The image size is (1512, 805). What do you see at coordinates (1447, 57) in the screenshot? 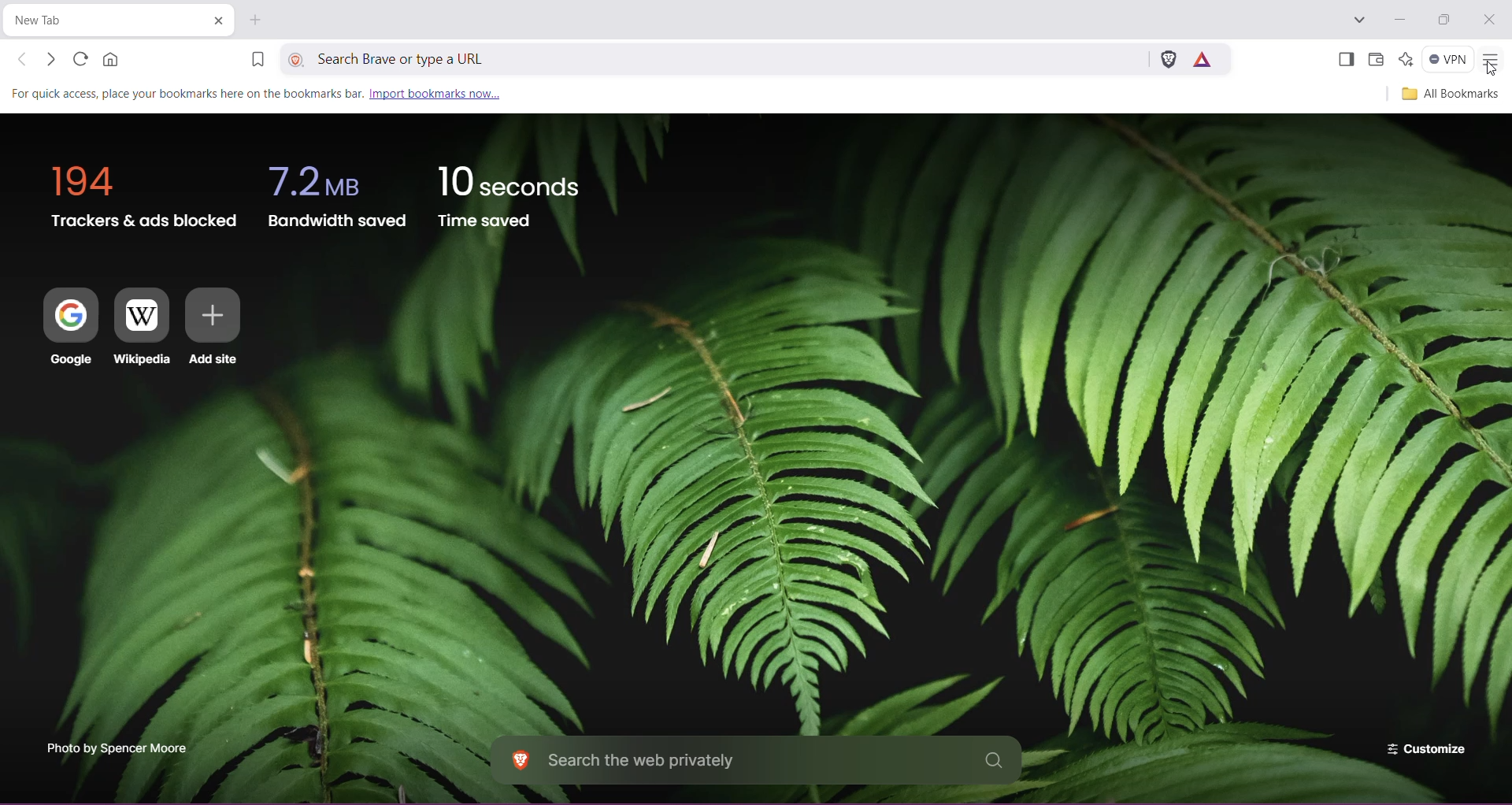
I see `Brave Firewall + VPN` at bounding box center [1447, 57].